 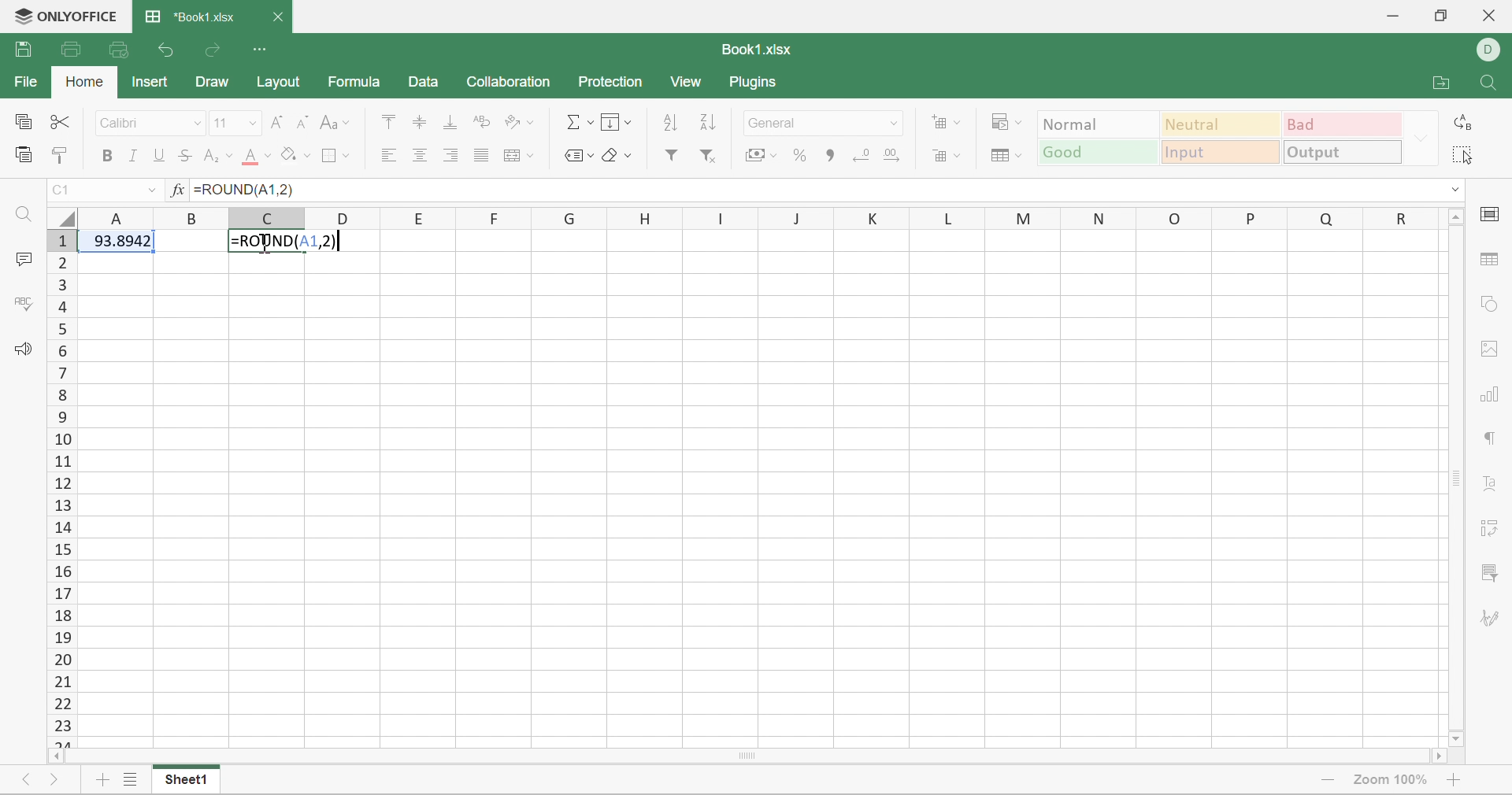 I want to click on Drop Down, so click(x=1421, y=138).